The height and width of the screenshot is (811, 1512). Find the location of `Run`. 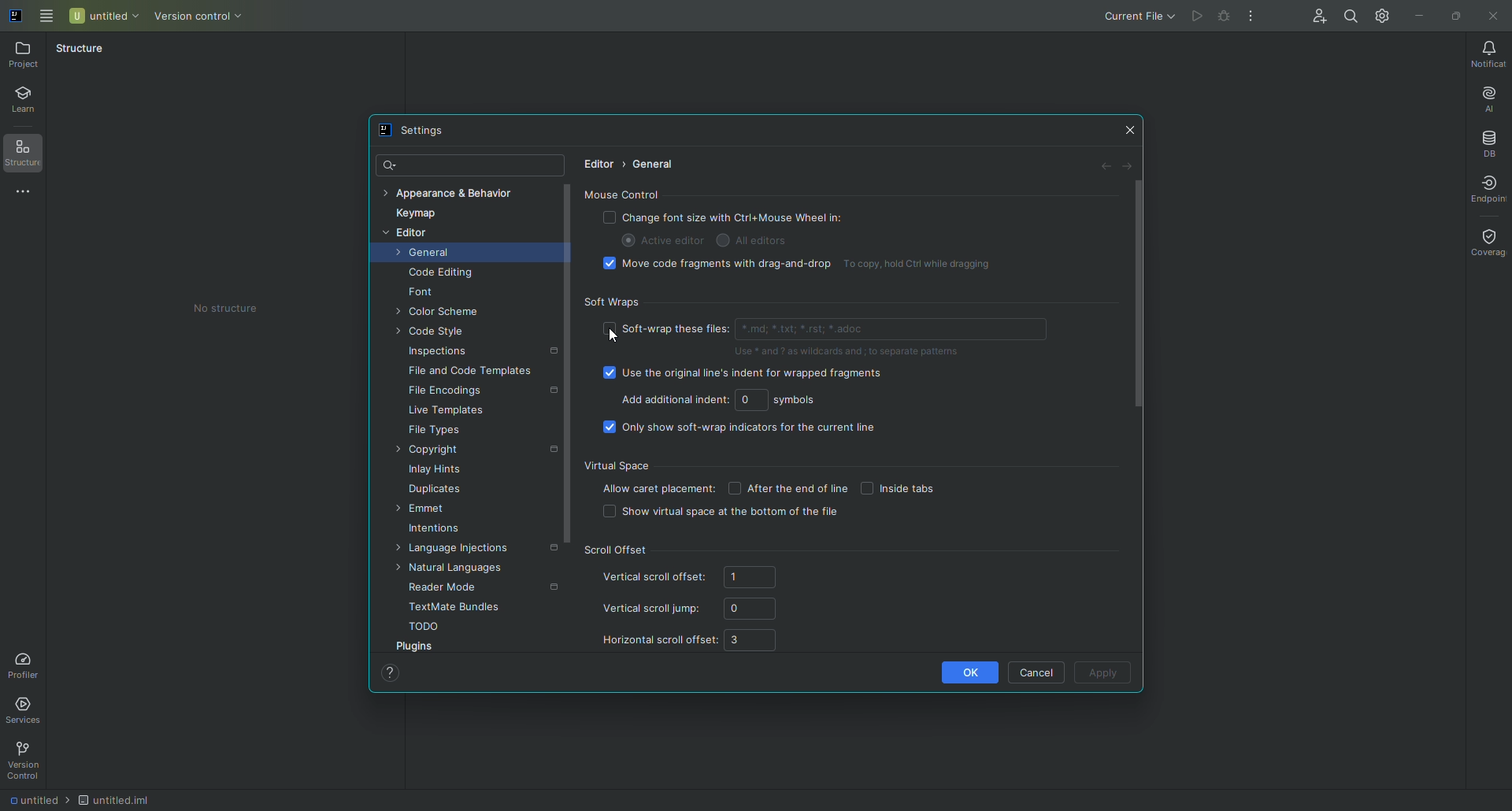

Run is located at coordinates (1195, 17).